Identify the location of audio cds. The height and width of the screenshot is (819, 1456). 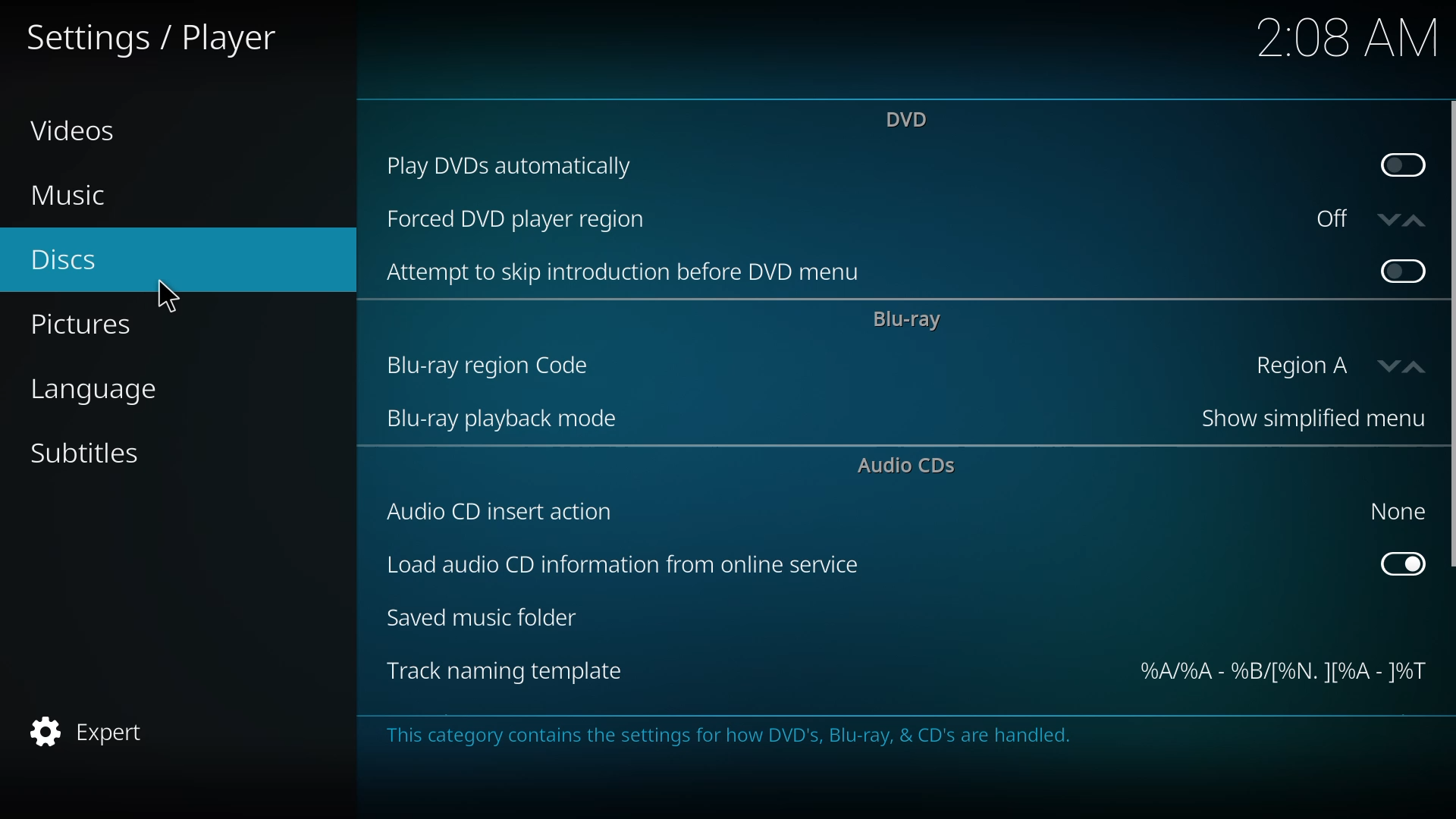
(912, 467).